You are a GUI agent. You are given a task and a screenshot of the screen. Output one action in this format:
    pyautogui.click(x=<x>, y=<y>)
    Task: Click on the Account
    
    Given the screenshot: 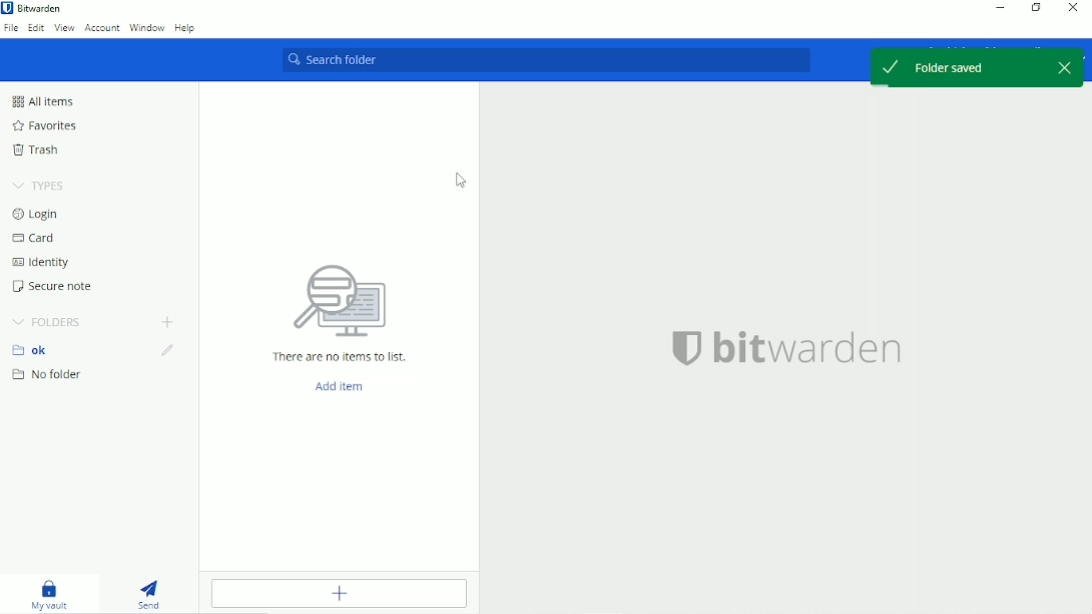 What is the action you would take?
    pyautogui.click(x=102, y=28)
    